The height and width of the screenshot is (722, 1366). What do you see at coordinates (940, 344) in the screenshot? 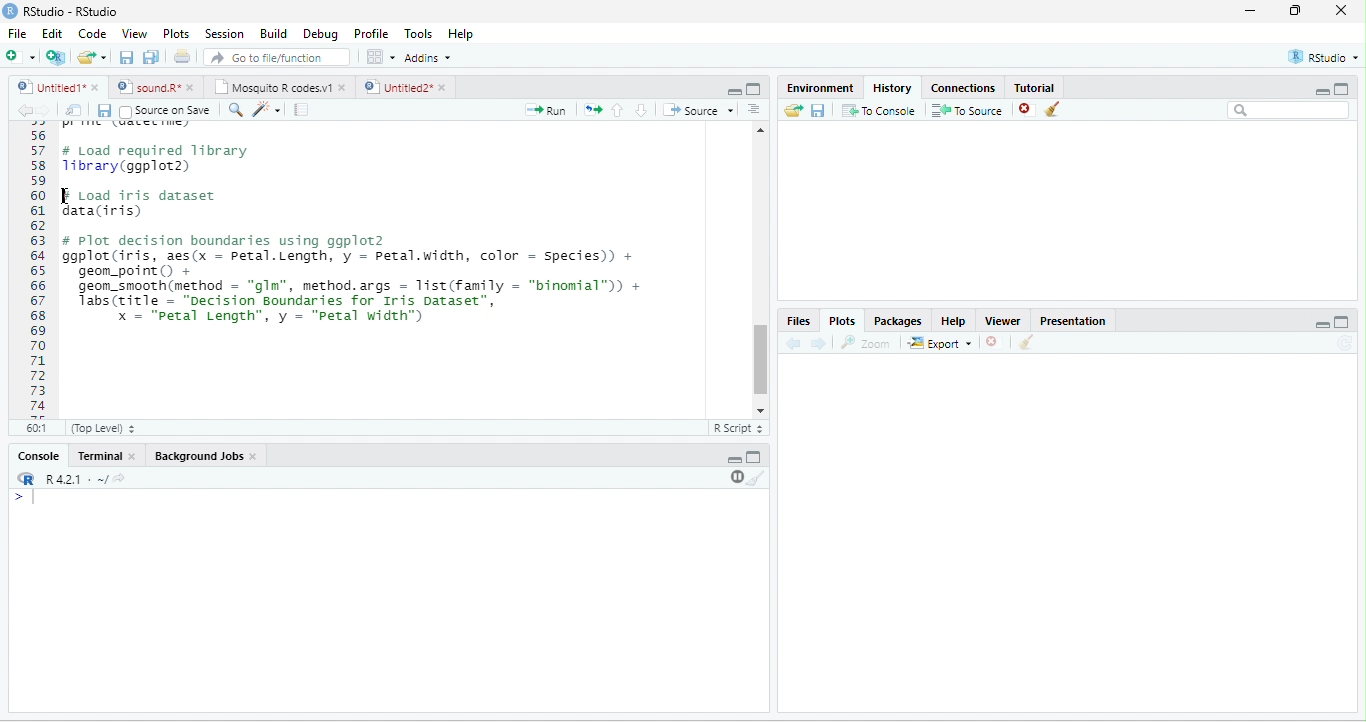
I see `Export` at bounding box center [940, 344].